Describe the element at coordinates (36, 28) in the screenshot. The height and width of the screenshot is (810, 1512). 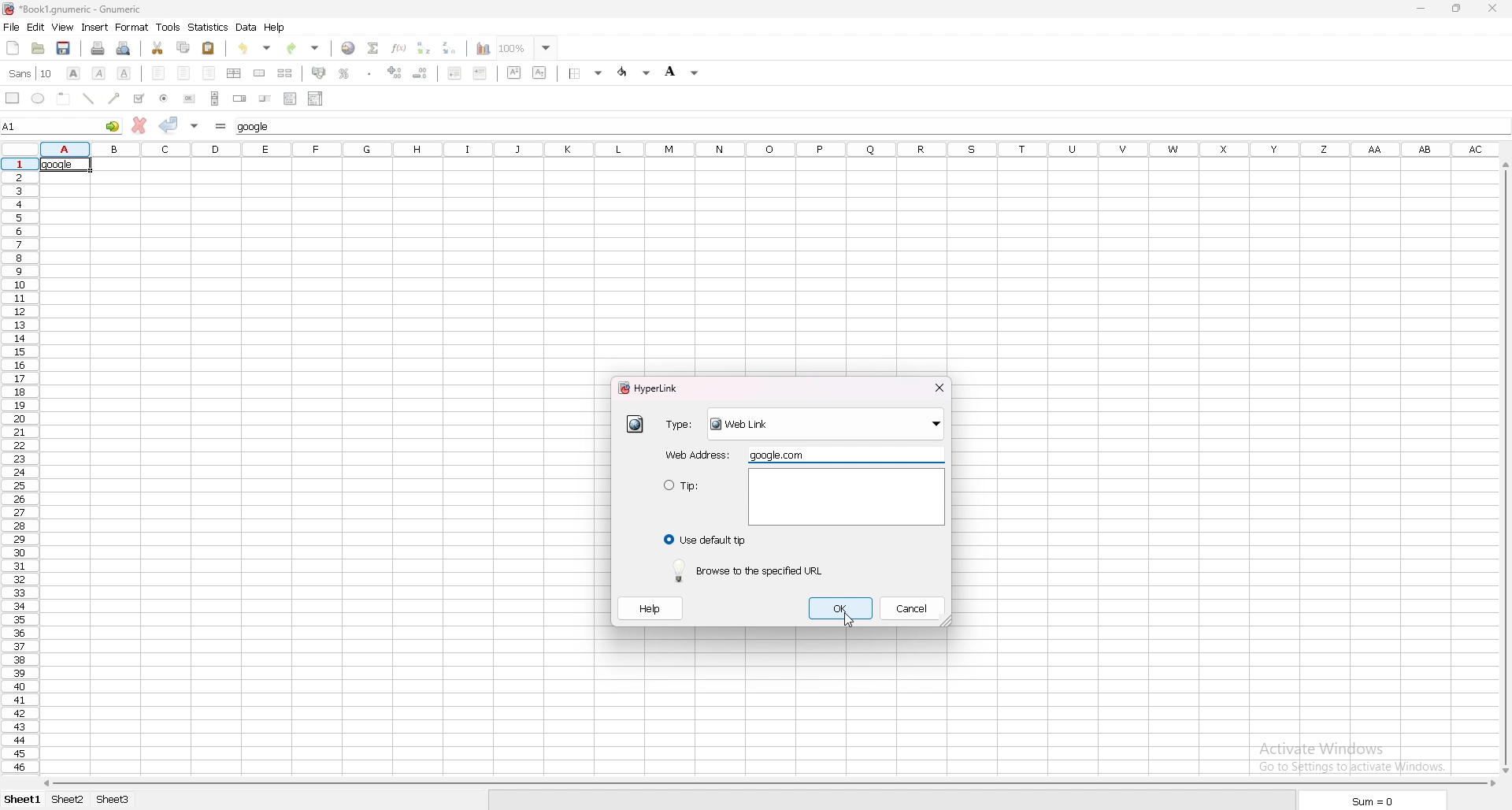
I see `edit` at that location.